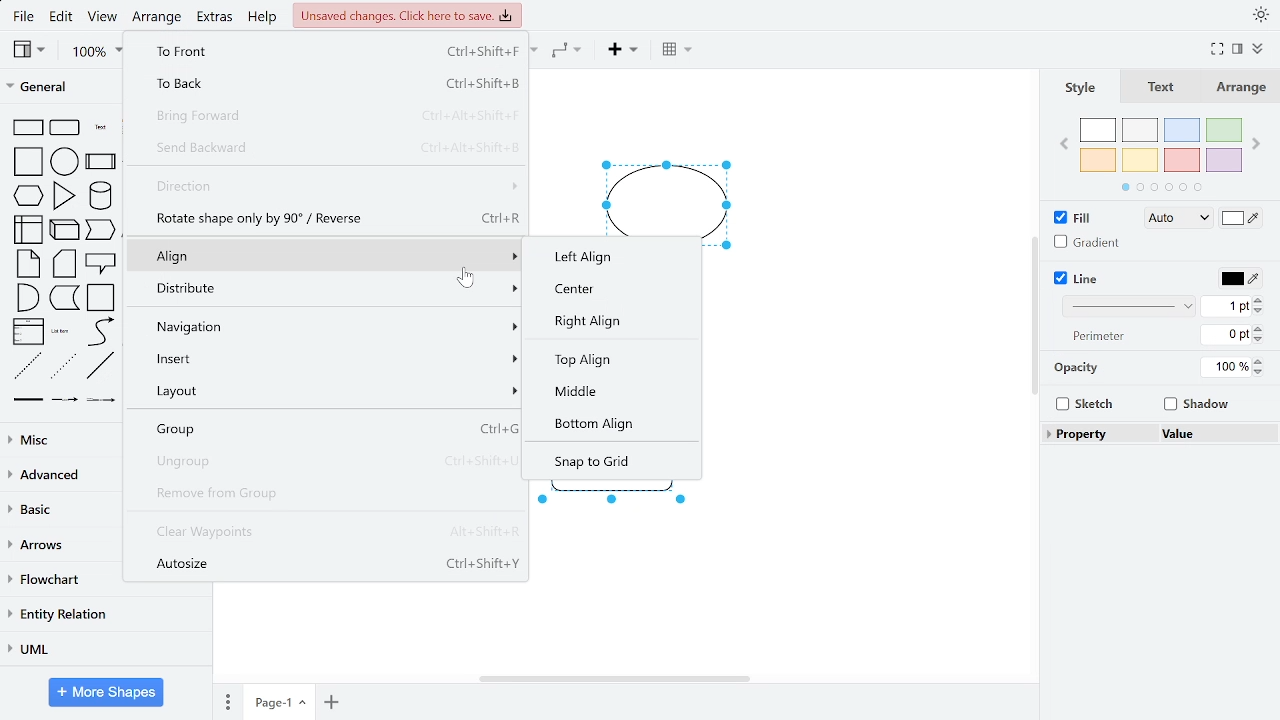 This screenshot has height=720, width=1280. What do you see at coordinates (328, 257) in the screenshot?
I see `align` at bounding box center [328, 257].